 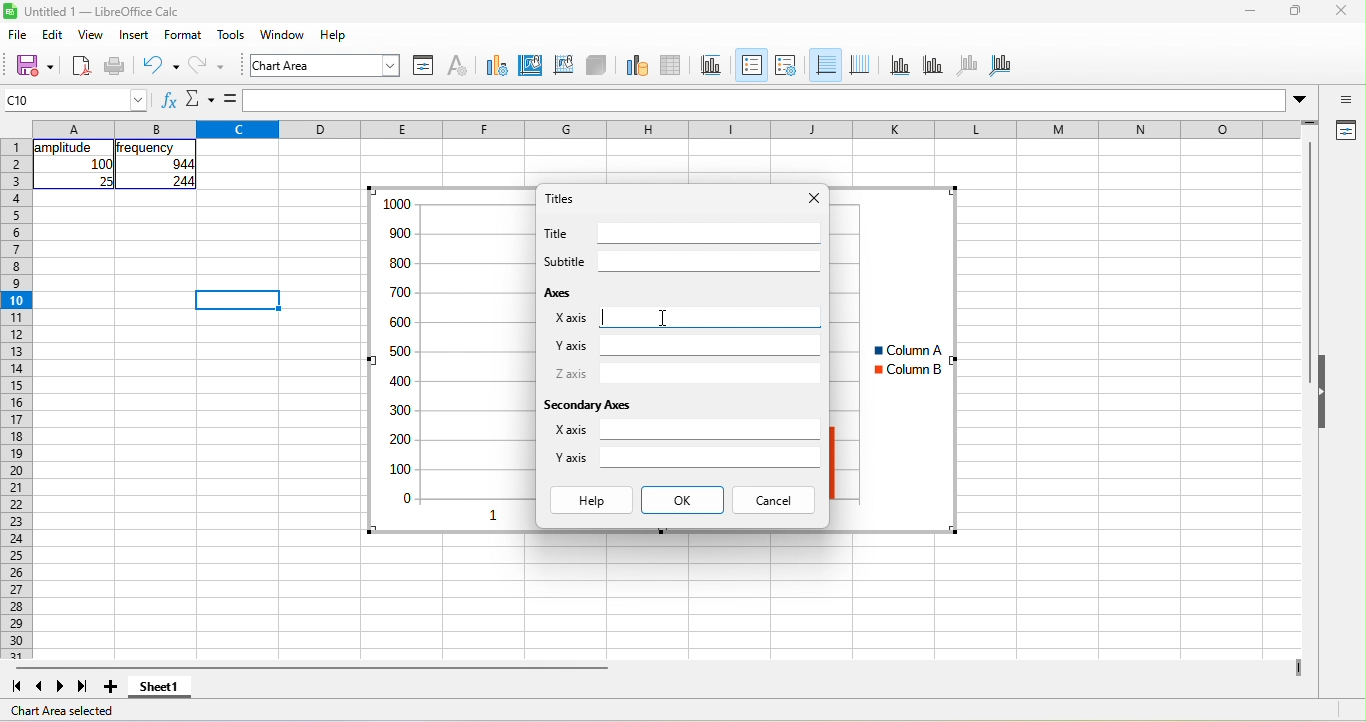 What do you see at coordinates (183, 181) in the screenshot?
I see `244` at bounding box center [183, 181].